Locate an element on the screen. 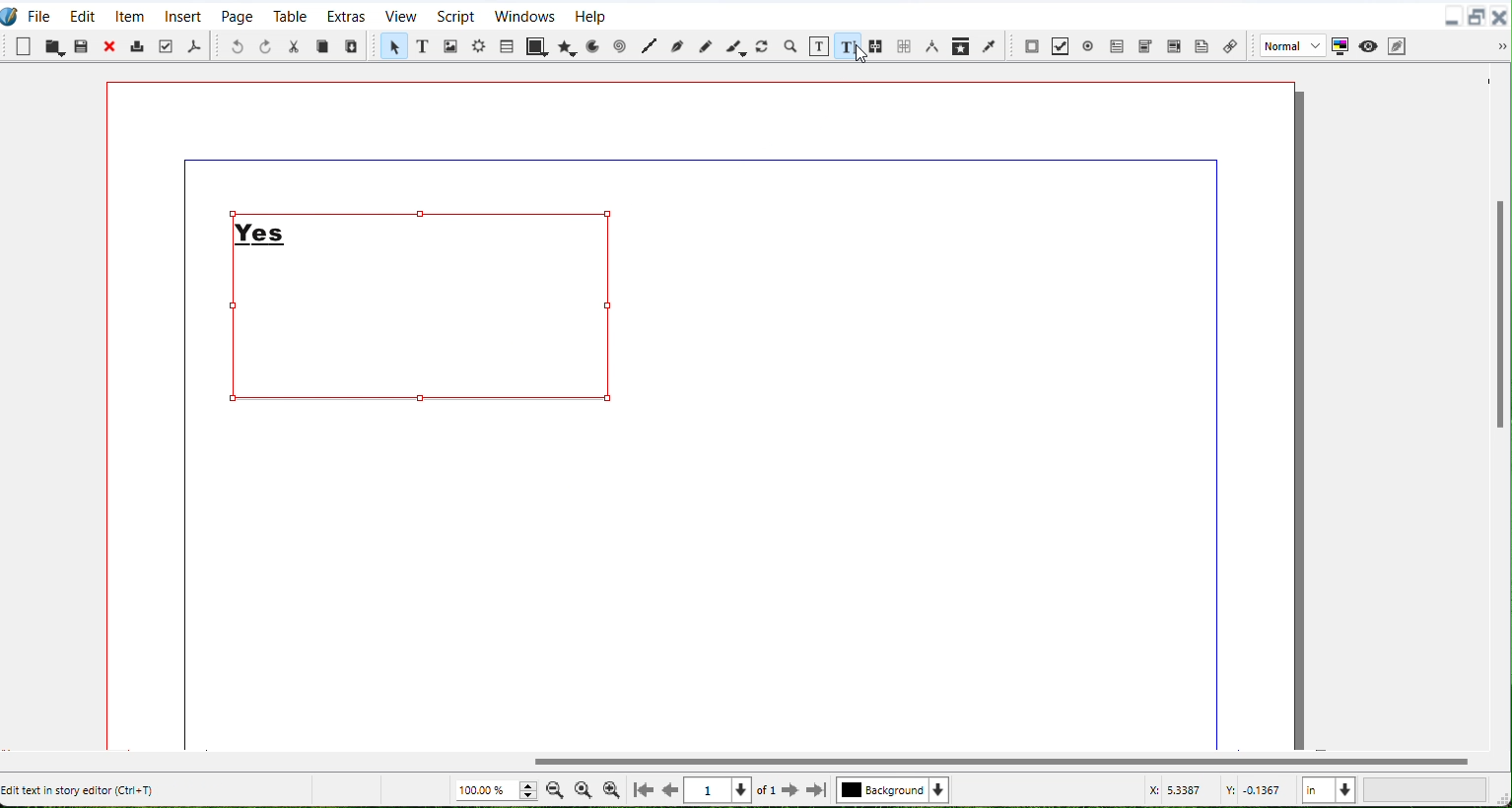 This screenshot has height=808, width=1512. Eye Dropper is located at coordinates (991, 44).